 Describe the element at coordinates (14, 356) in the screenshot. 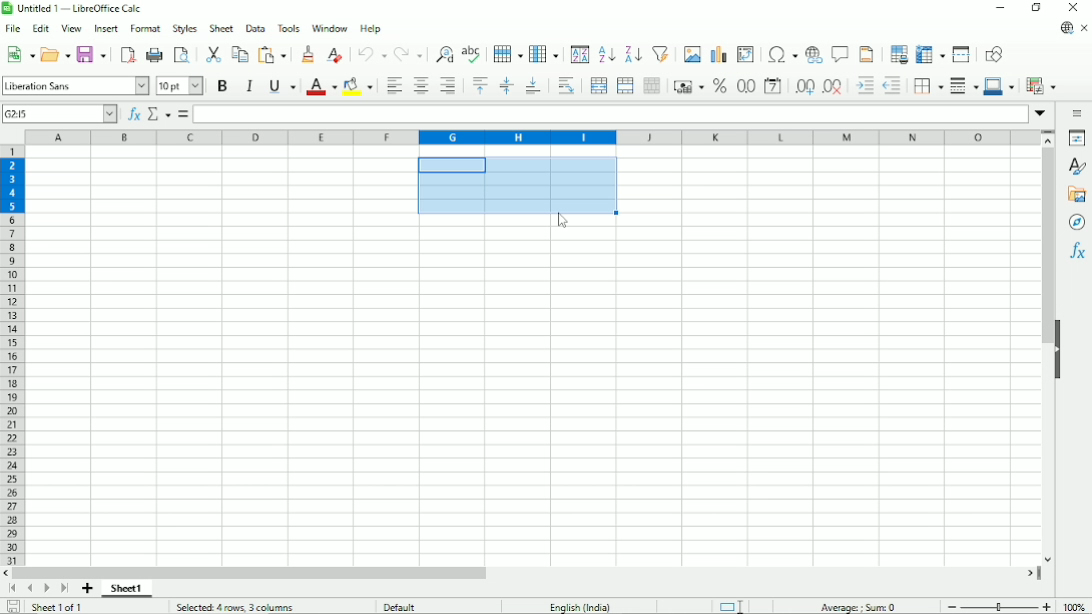

I see `Row headings` at that location.